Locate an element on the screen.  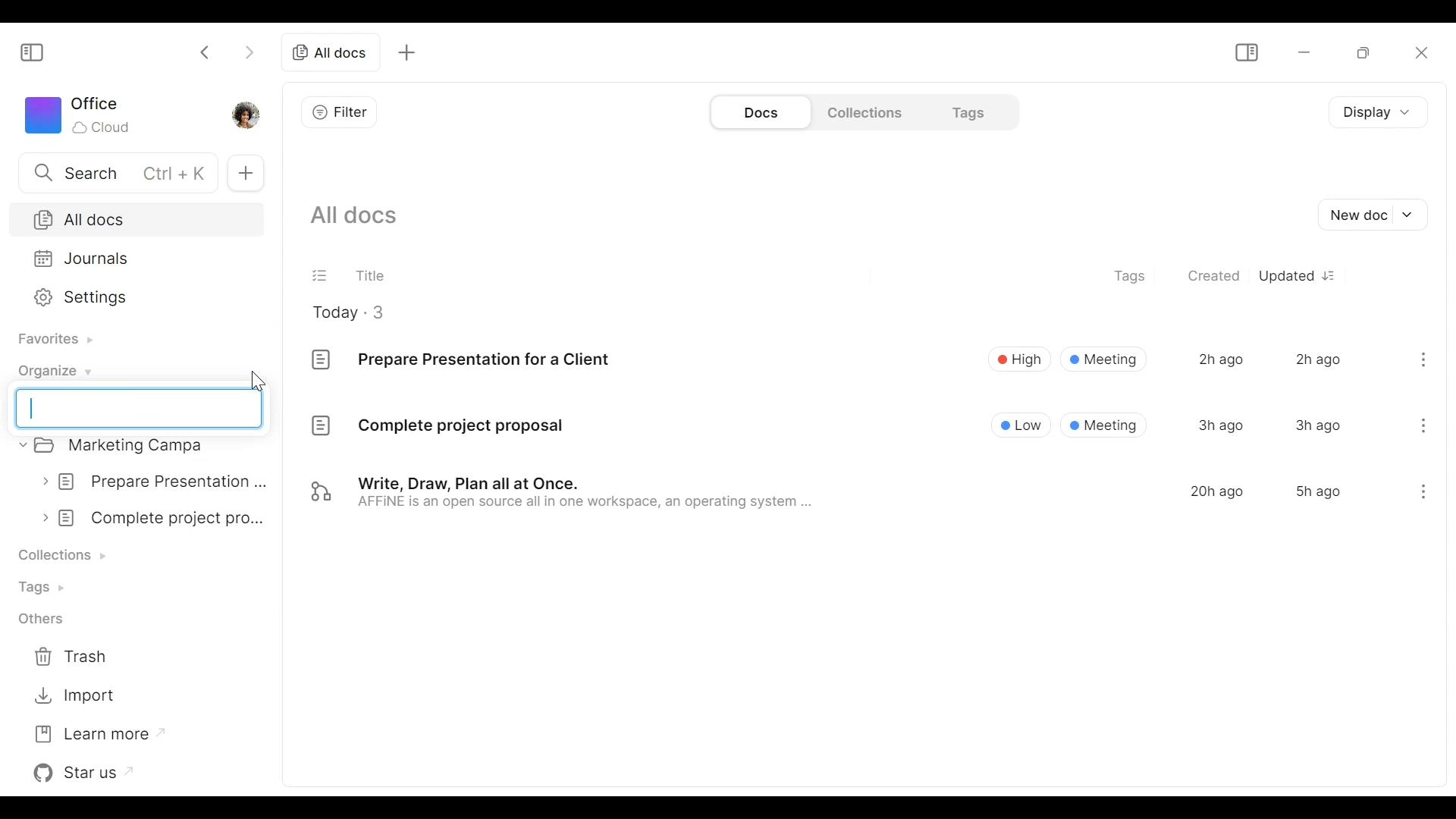
Organize is located at coordinates (52, 370).